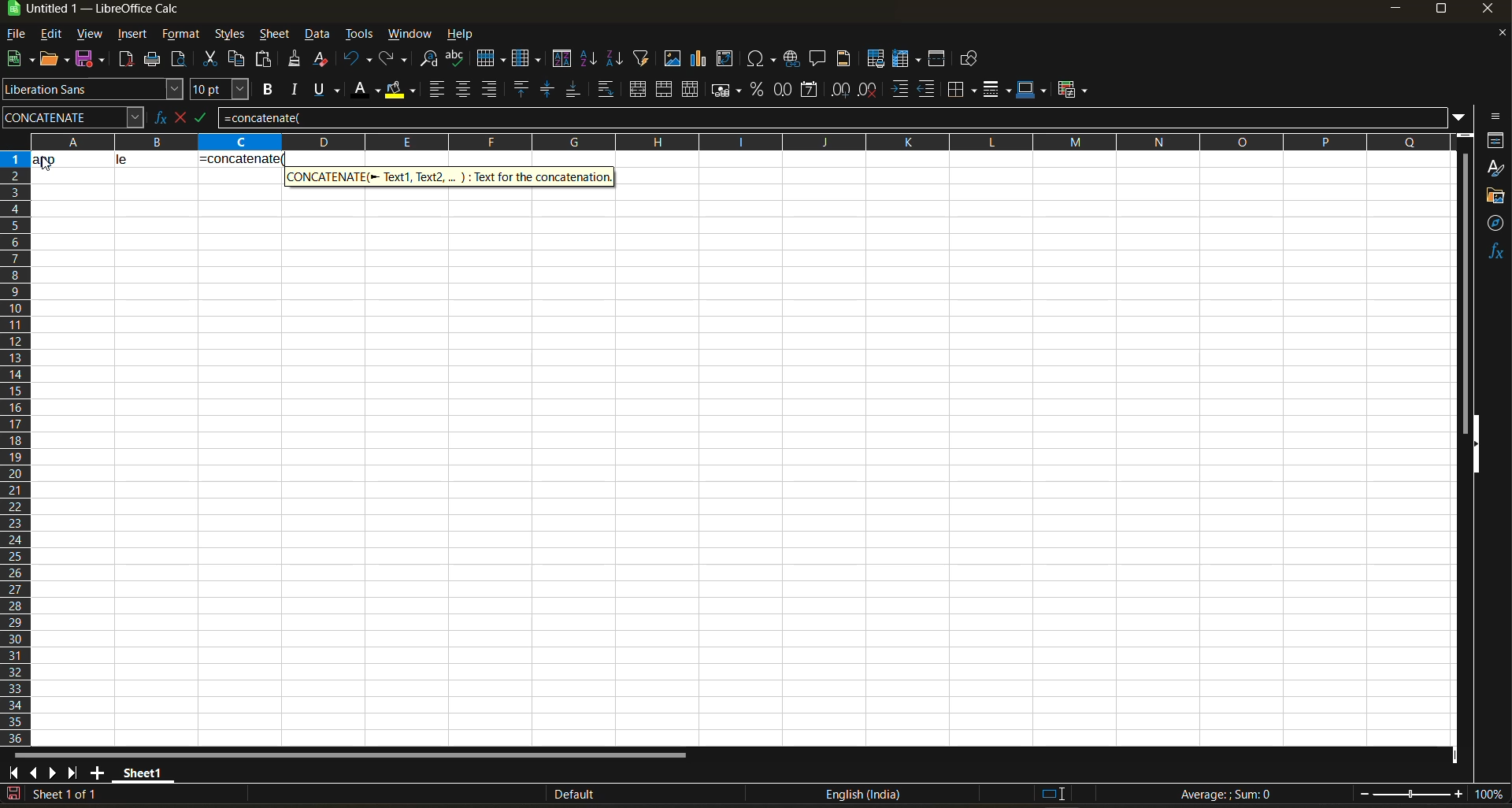  What do you see at coordinates (561, 795) in the screenshot?
I see `Default` at bounding box center [561, 795].